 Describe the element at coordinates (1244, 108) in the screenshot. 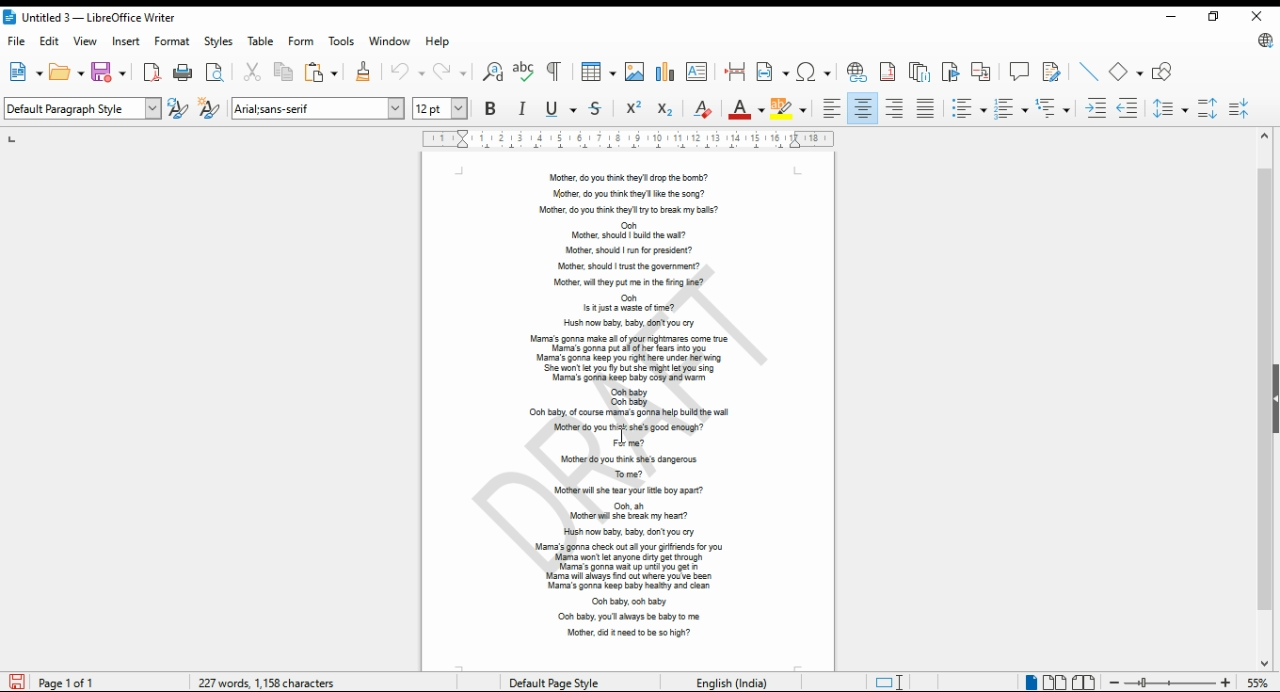

I see `decrease paragraph spacing` at that location.